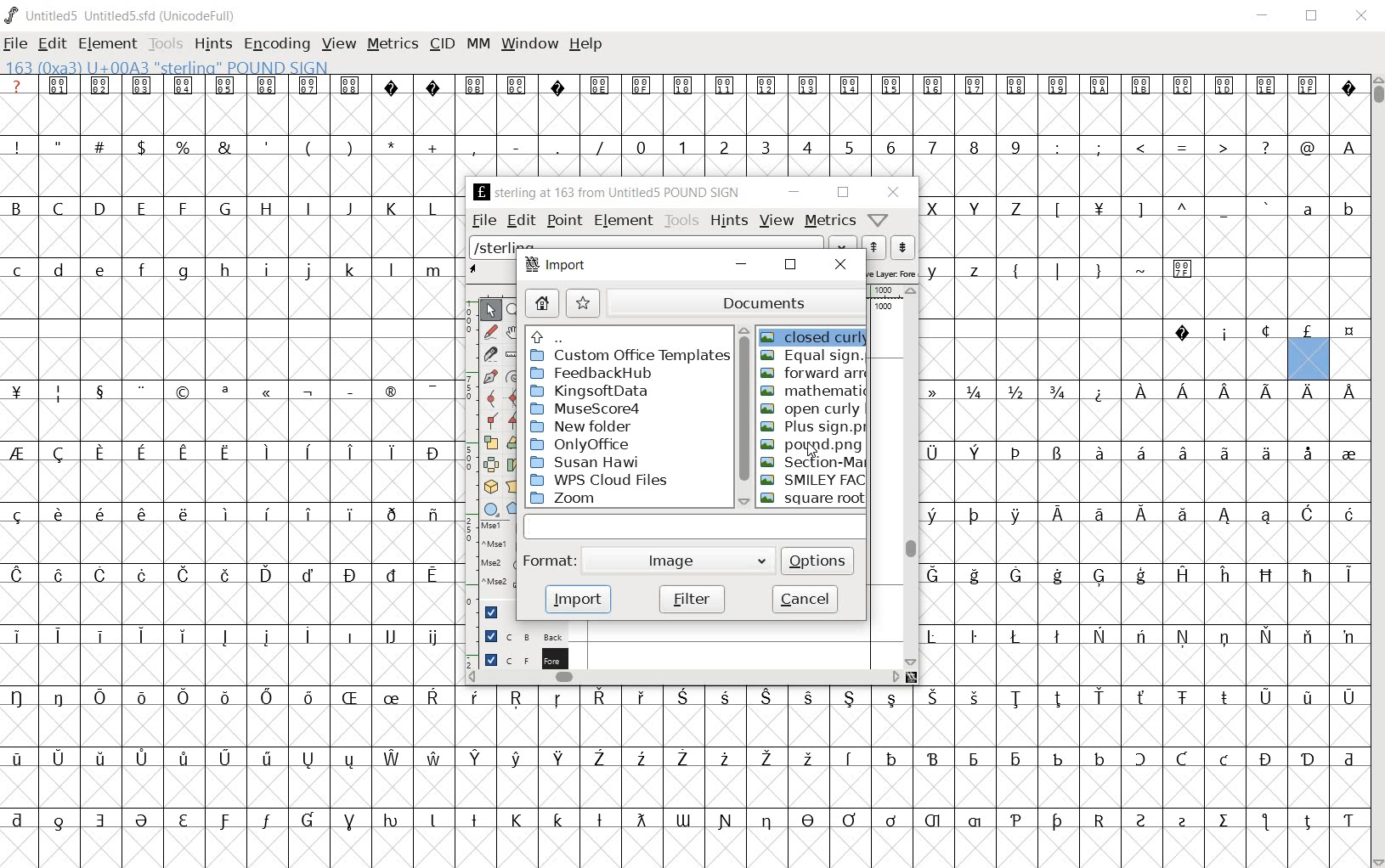 This screenshot has height=868, width=1385. What do you see at coordinates (588, 460) in the screenshot?
I see `Susan Hawi` at bounding box center [588, 460].